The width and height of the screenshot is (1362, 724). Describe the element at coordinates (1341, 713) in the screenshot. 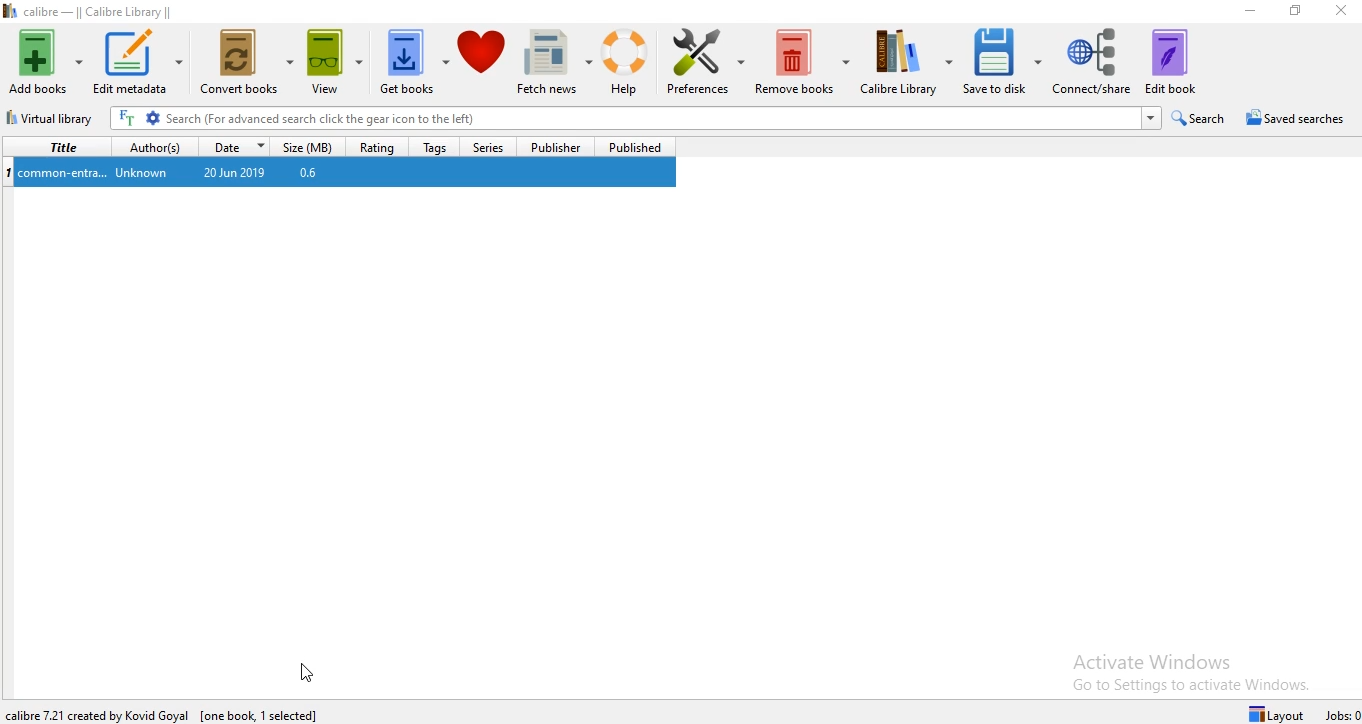

I see `Jobs: 0` at that location.